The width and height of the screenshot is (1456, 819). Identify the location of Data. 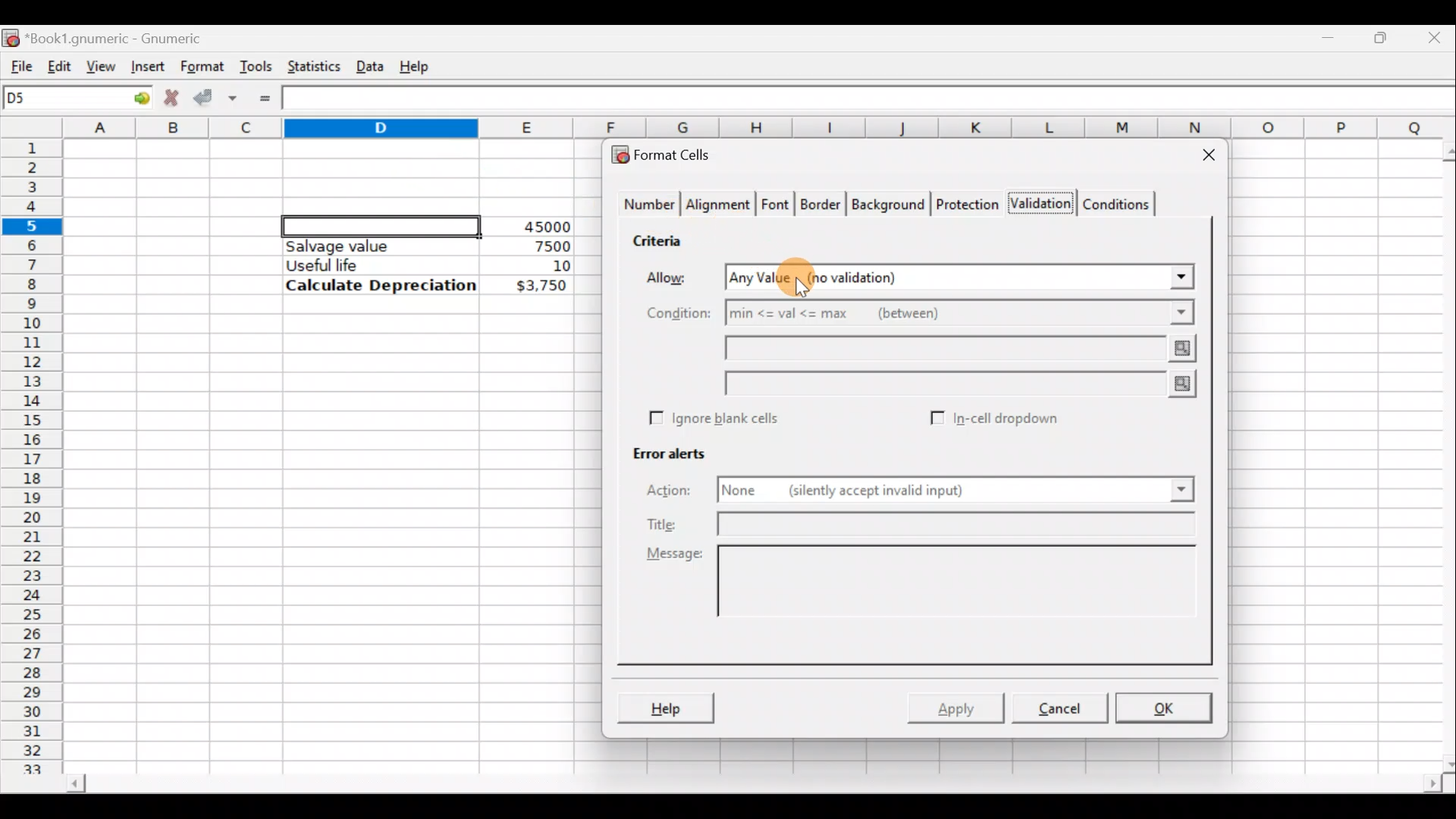
(369, 63).